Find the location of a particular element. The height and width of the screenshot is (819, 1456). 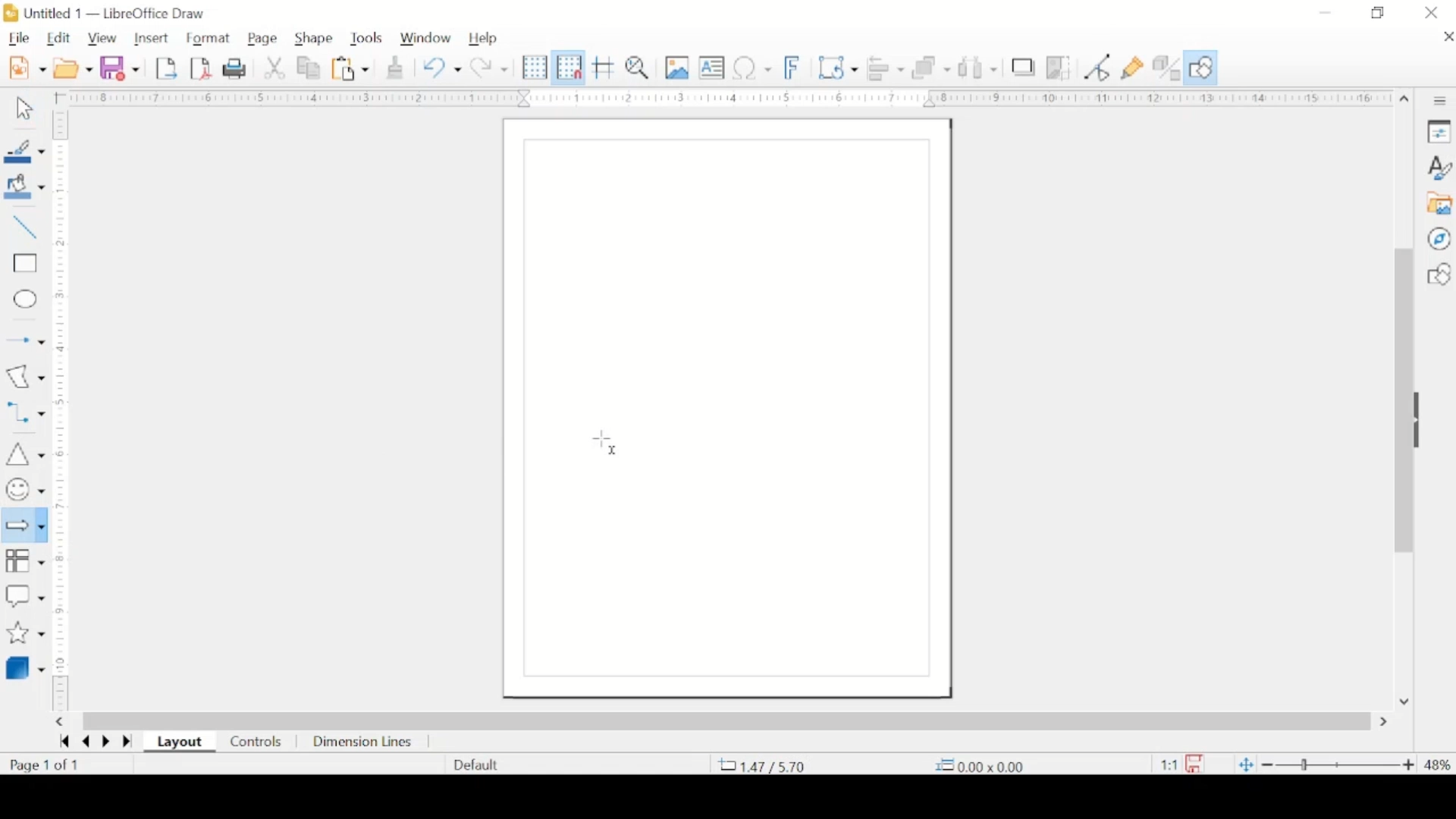

insert line is located at coordinates (25, 227).